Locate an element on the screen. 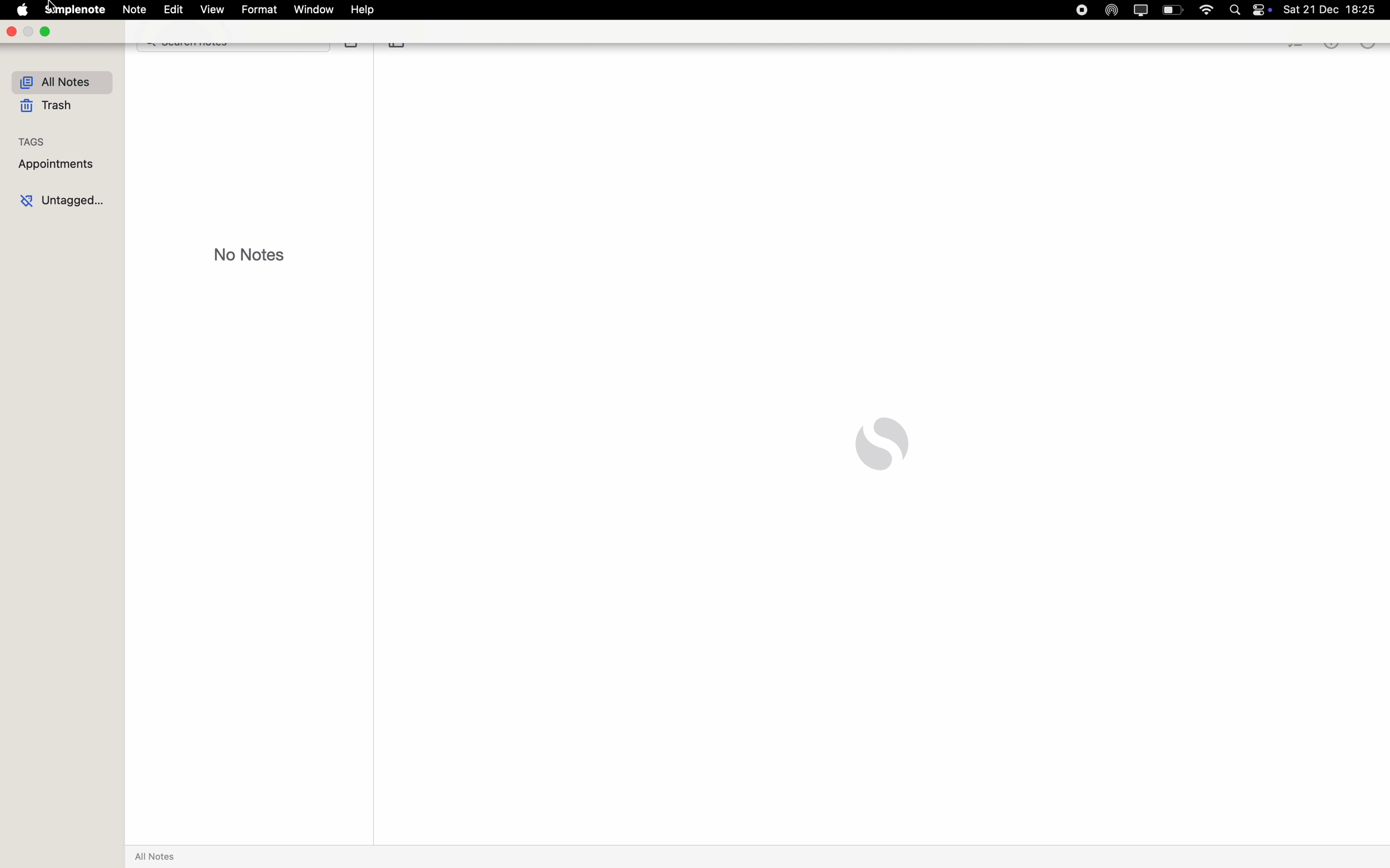 The width and height of the screenshot is (1390, 868). note is located at coordinates (134, 10).